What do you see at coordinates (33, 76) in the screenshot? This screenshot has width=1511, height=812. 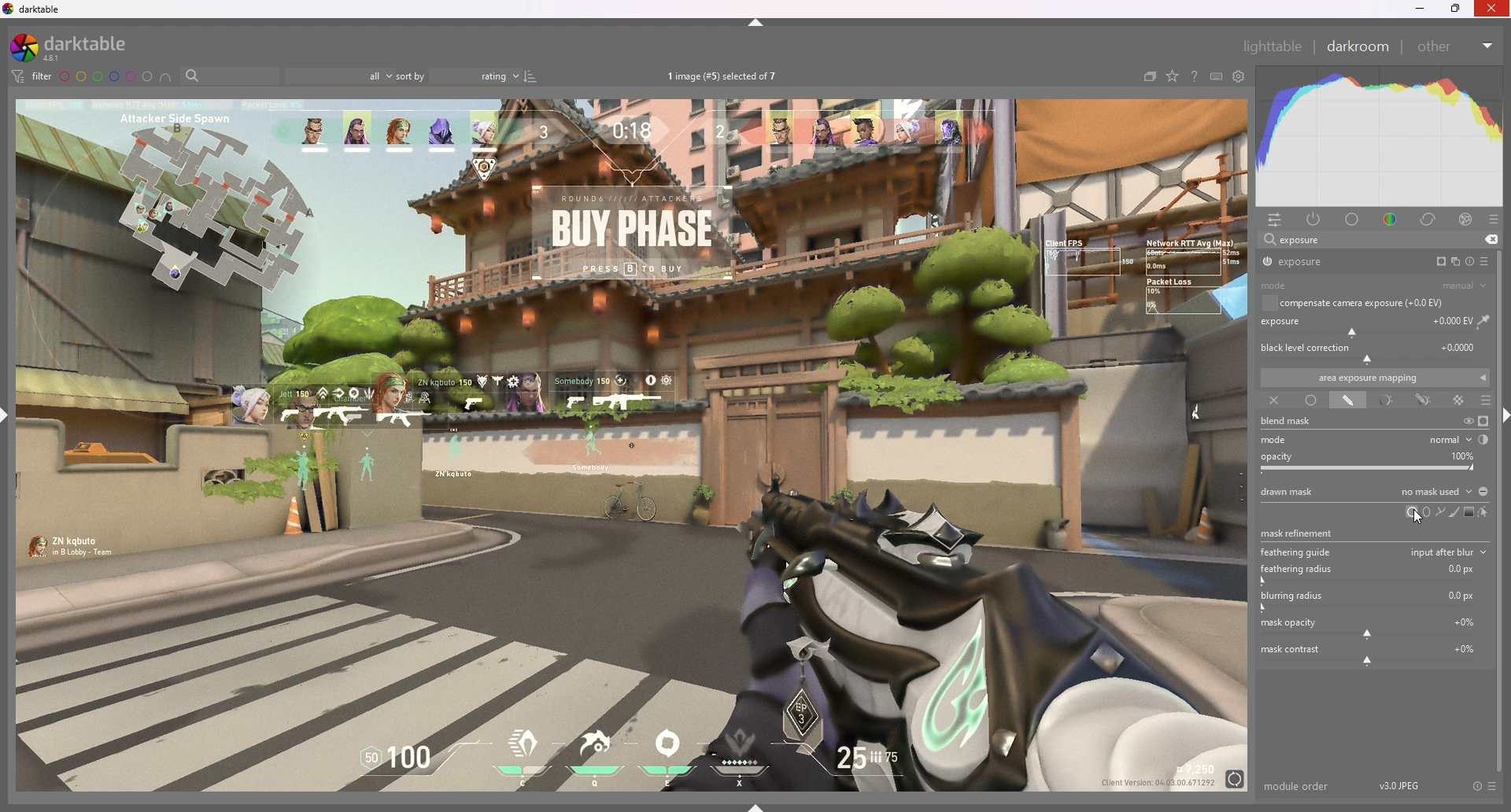 I see `filter` at bounding box center [33, 76].